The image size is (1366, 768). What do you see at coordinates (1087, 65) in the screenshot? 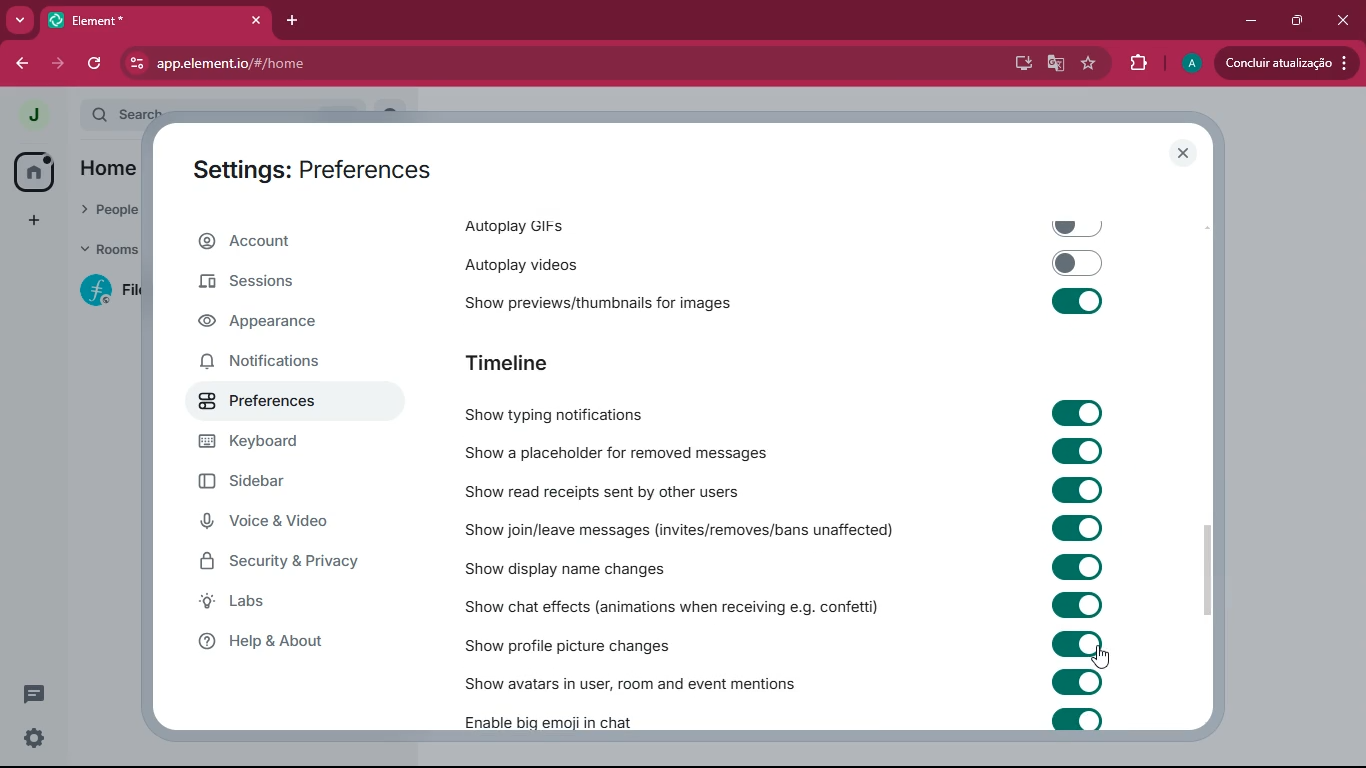
I see `favourite` at bounding box center [1087, 65].